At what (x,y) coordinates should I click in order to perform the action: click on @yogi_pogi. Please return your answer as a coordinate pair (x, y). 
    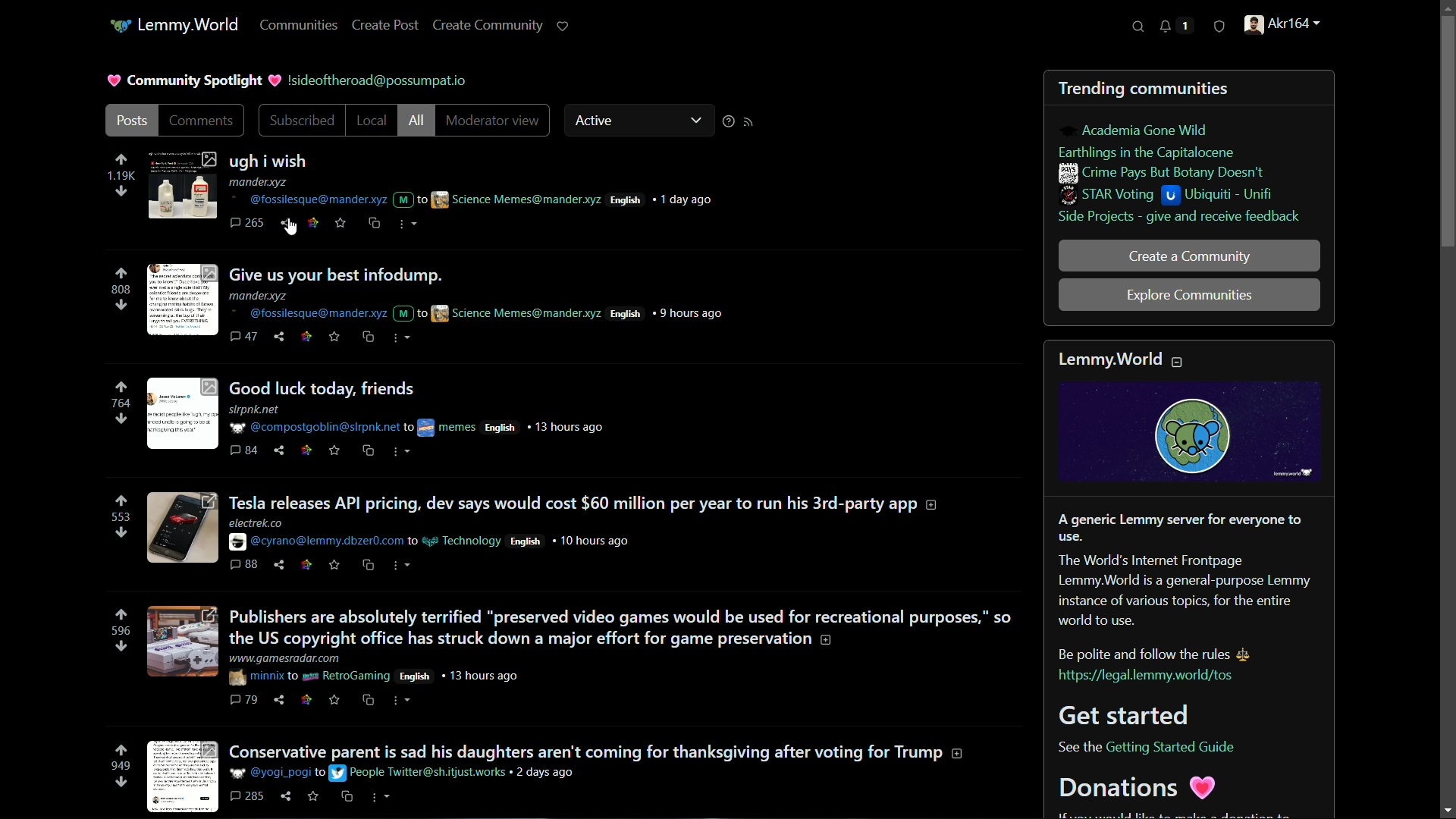
    Looking at the image, I should click on (271, 773).